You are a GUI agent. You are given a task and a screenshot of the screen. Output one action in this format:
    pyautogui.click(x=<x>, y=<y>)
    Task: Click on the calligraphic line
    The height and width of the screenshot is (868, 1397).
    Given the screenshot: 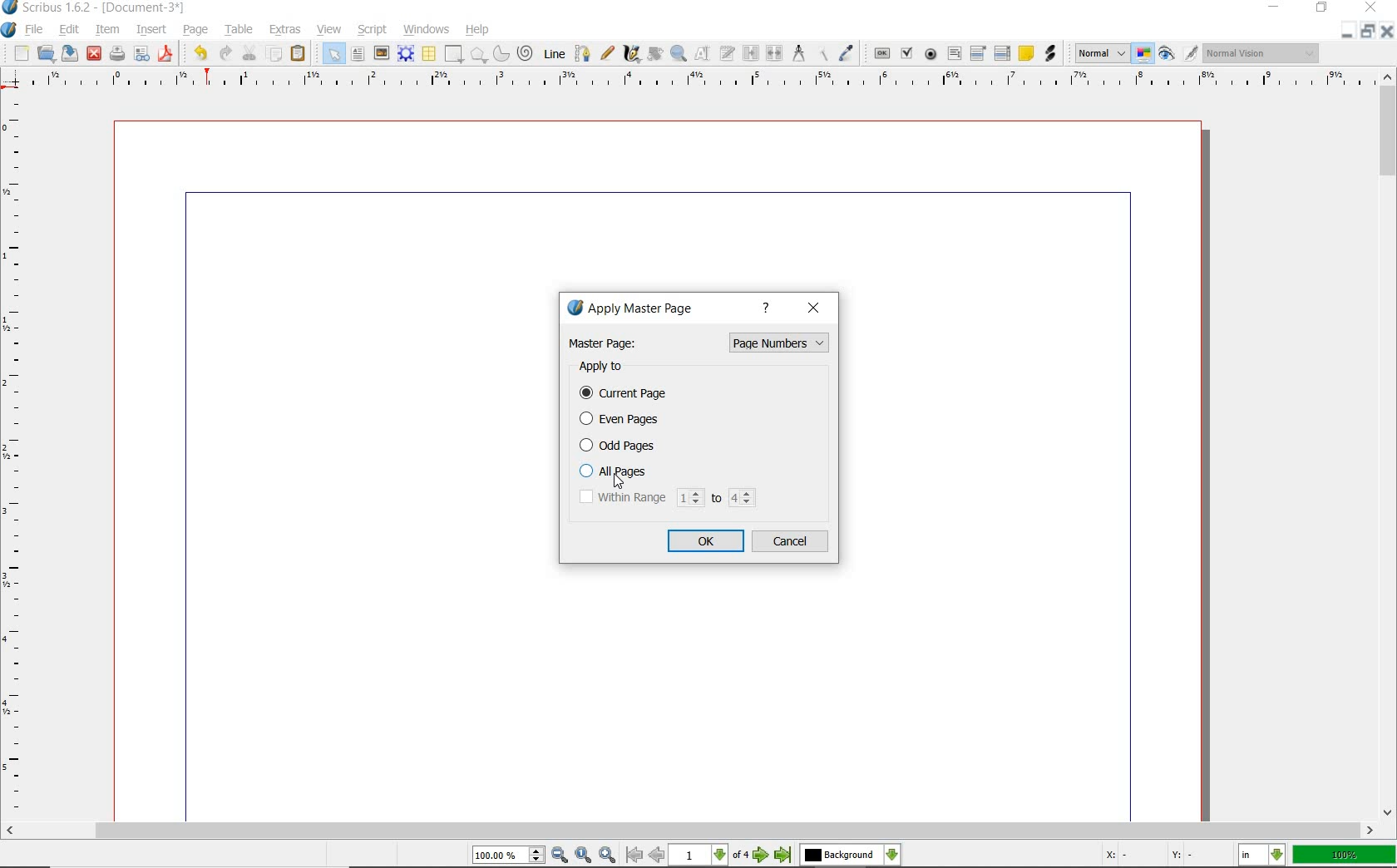 What is the action you would take?
    pyautogui.click(x=632, y=55)
    